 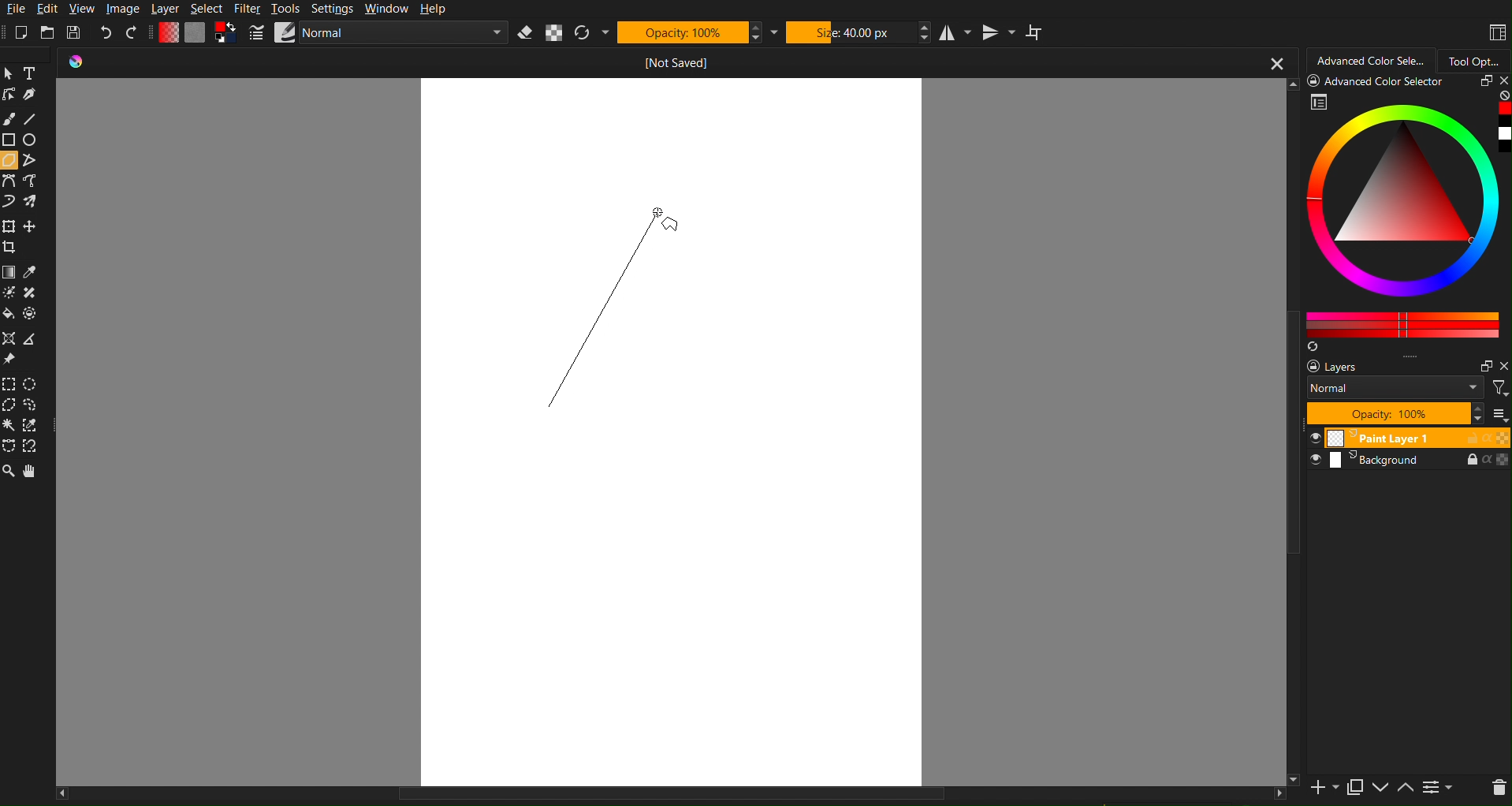 What do you see at coordinates (1322, 789) in the screenshot?
I see `add a new layer` at bounding box center [1322, 789].